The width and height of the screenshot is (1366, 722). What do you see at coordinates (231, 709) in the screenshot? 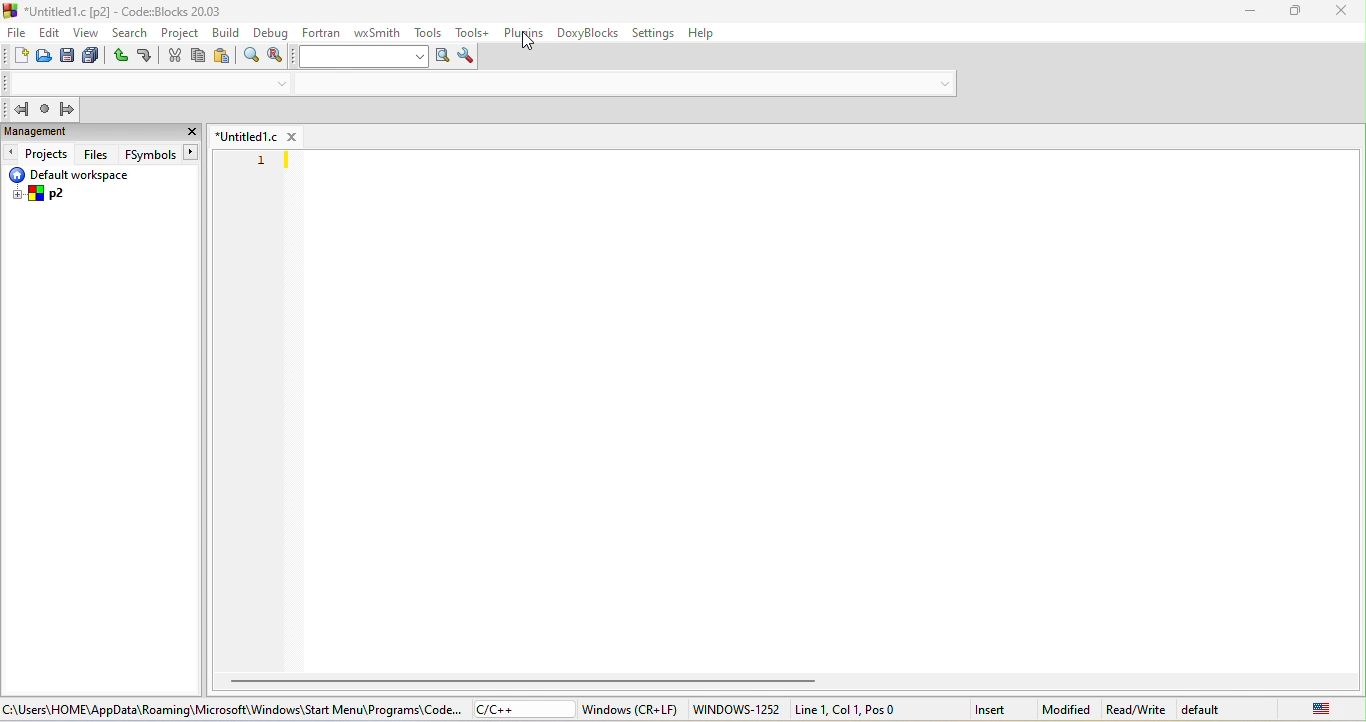
I see `c\users\home\app data\roaming\microsoft\windows\start\menu\programs` at bounding box center [231, 709].